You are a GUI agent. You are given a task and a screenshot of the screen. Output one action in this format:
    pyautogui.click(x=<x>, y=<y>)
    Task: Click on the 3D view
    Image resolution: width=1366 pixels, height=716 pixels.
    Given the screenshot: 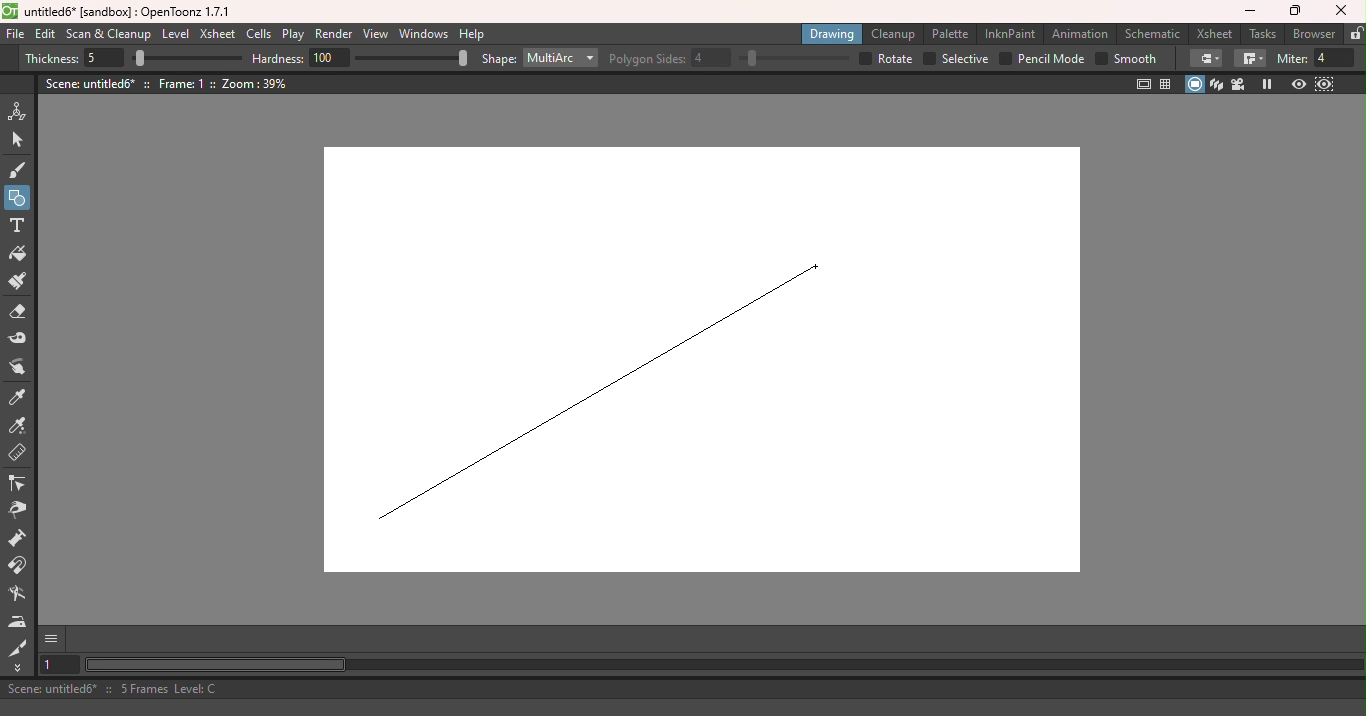 What is the action you would take?
    pyautogui.click(x=1217, y=84)
    